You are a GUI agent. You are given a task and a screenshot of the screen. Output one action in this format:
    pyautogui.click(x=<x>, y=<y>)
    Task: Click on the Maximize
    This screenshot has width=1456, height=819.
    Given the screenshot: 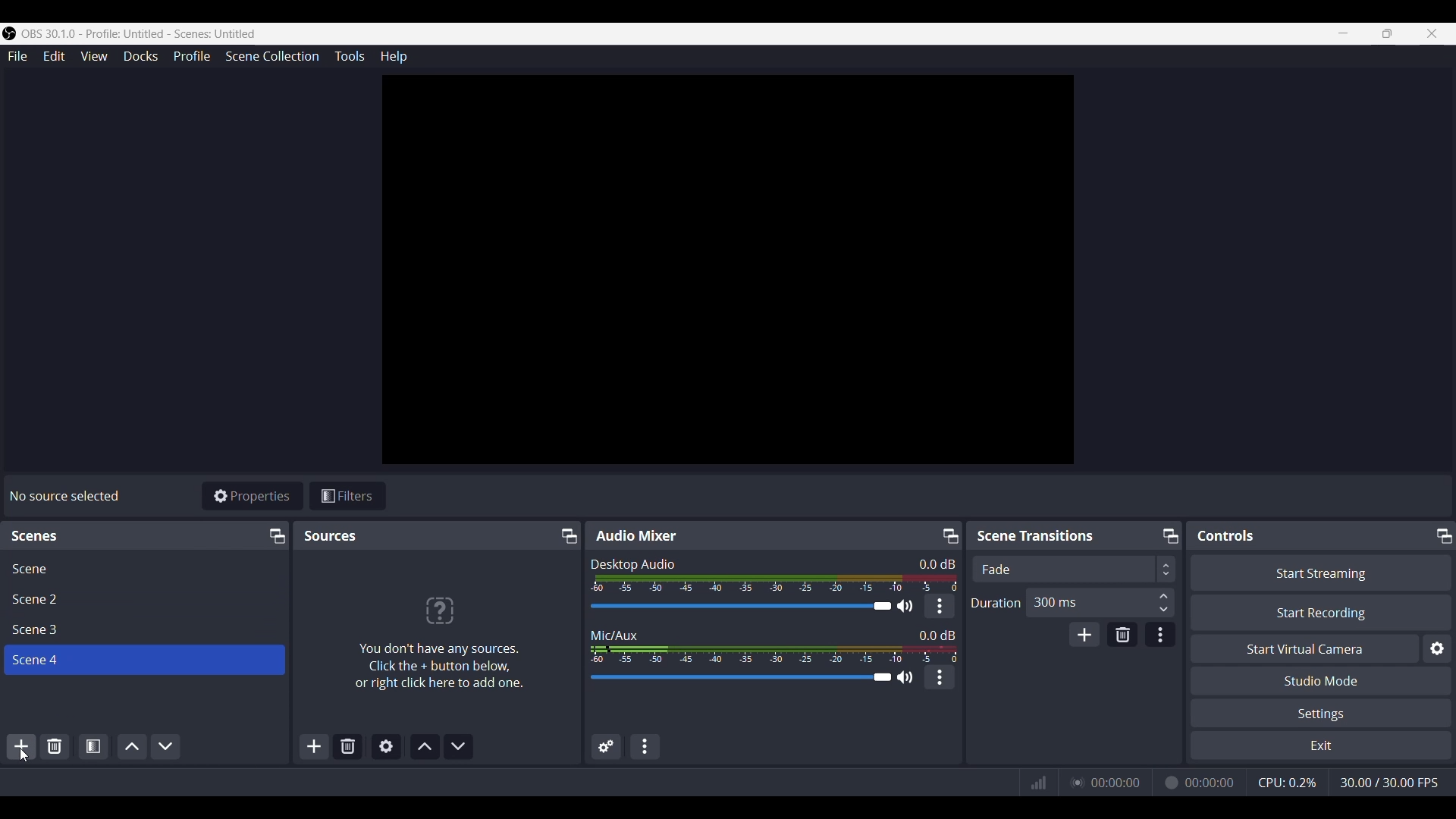 What is the action you would take?
    pyautogui.click(x=1386, y=33)
    